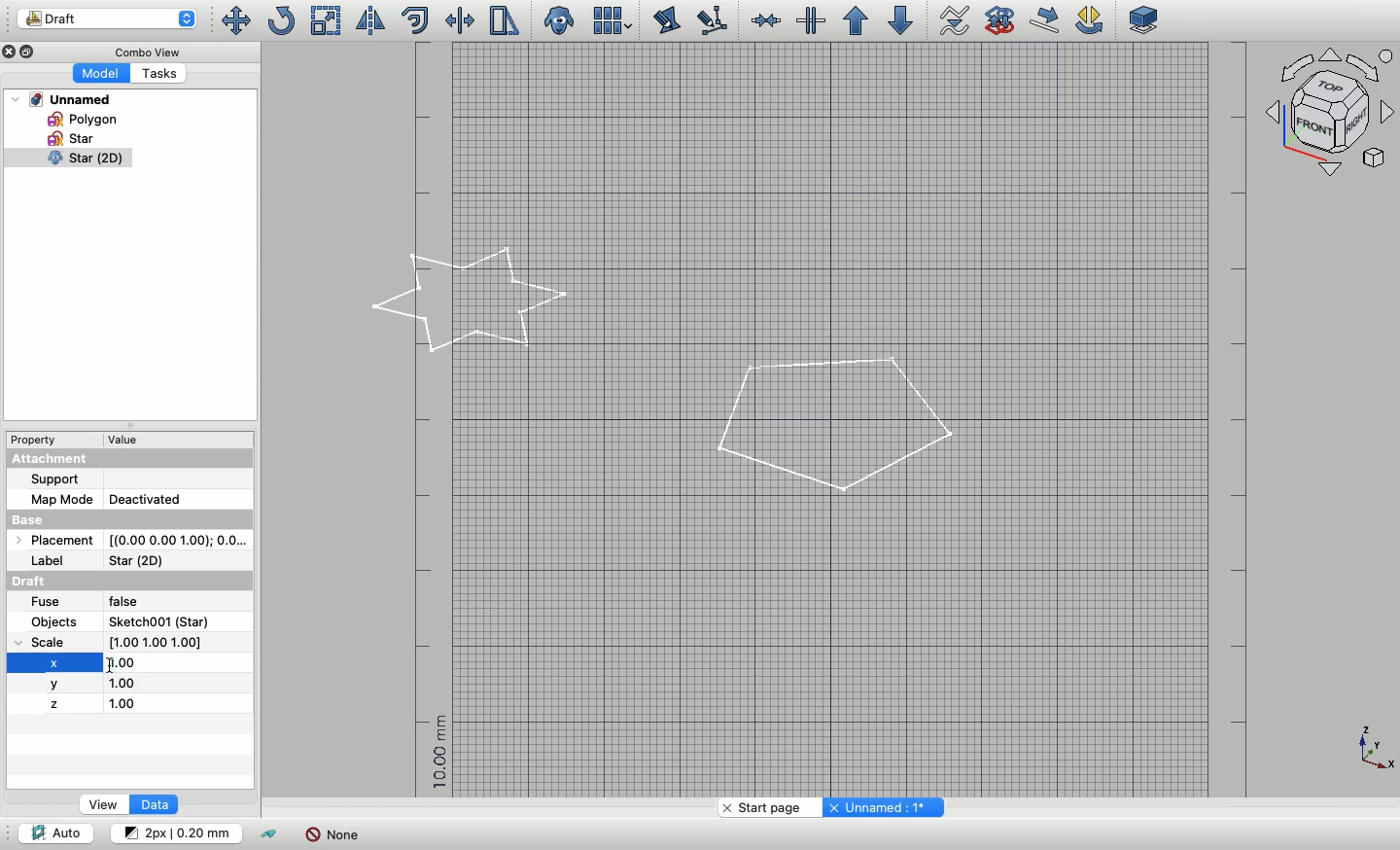  I want to click on Tasks, so click(157, 73).